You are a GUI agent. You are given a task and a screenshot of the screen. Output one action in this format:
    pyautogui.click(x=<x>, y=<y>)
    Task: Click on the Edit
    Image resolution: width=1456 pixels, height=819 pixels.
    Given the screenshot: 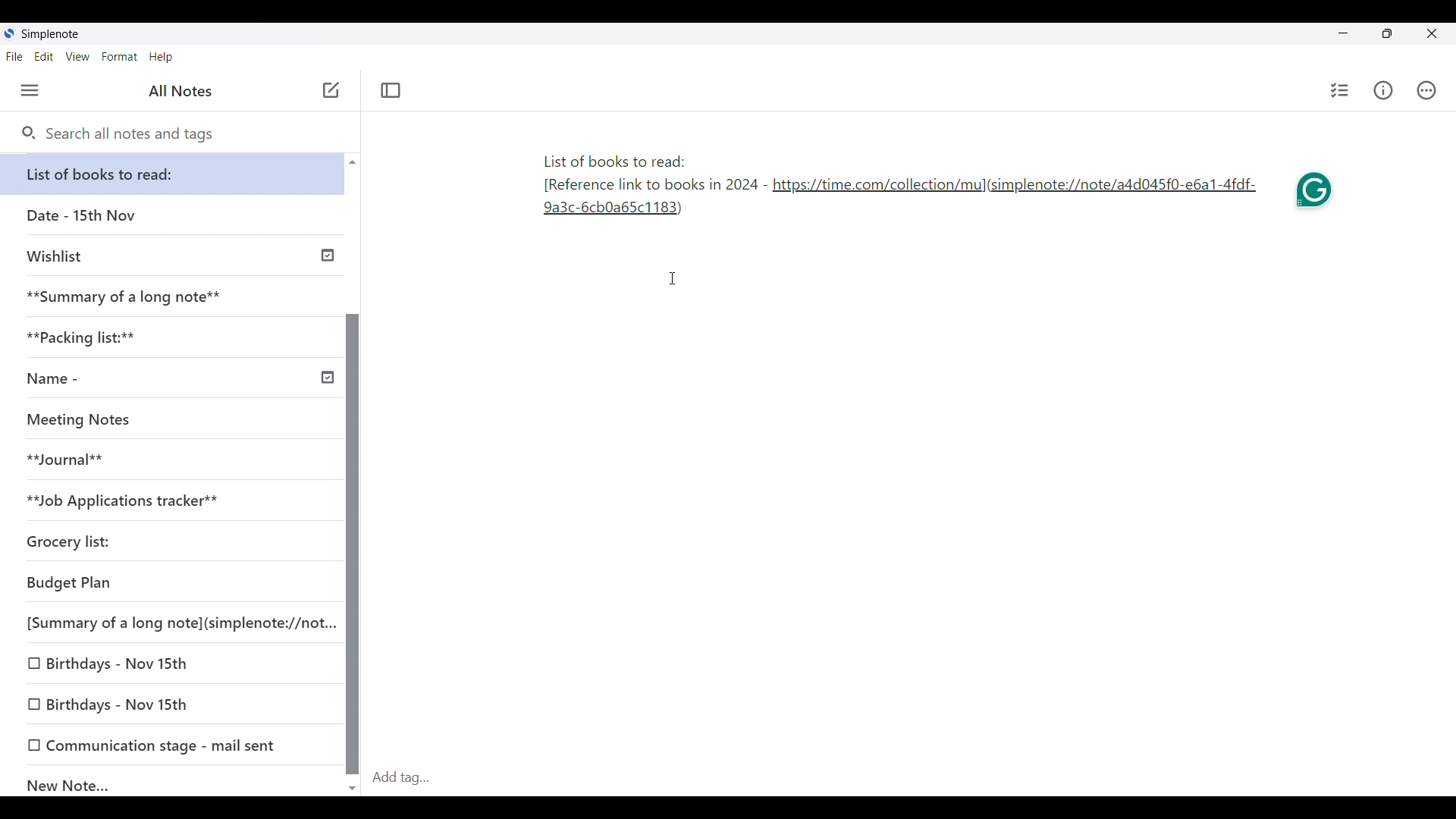 What is the action you would take?
    pyautogui.click(x=44, y=57)
    